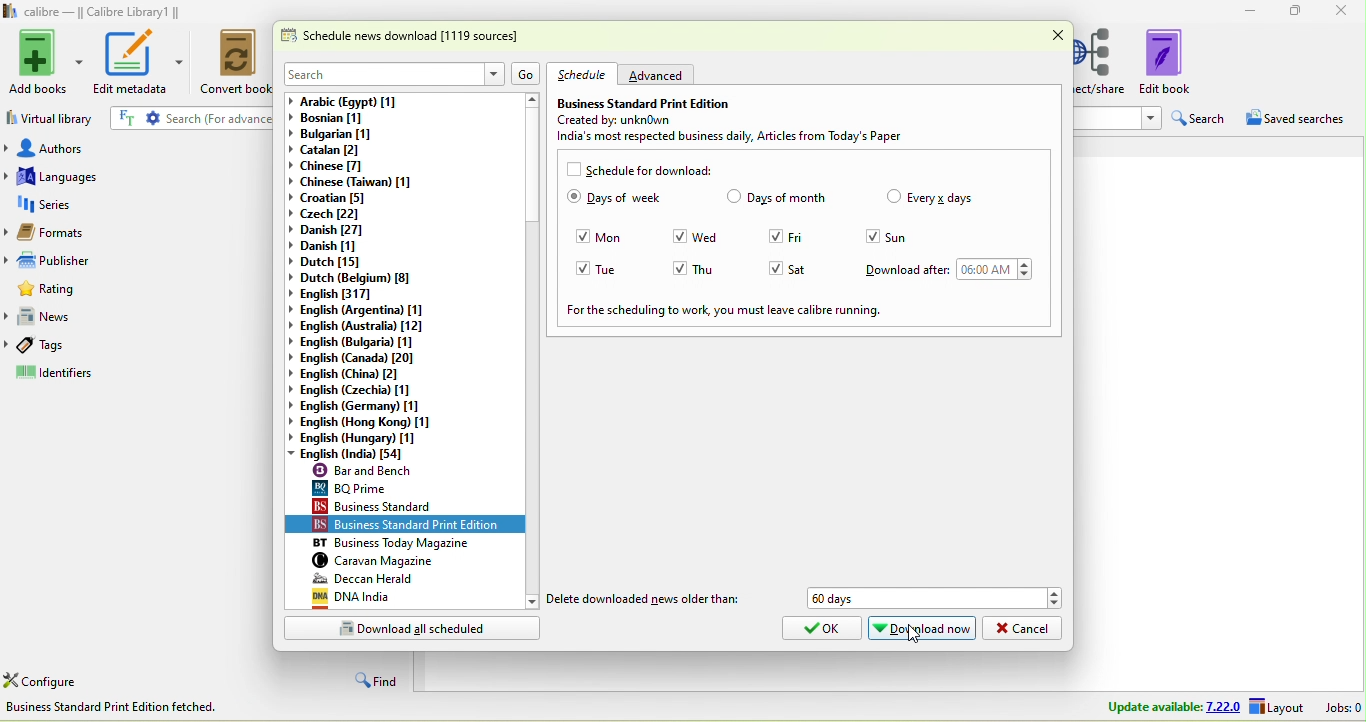  Describe the element at coordinates (337, 230) in the screenshot. I see `danish[27]` at that location.